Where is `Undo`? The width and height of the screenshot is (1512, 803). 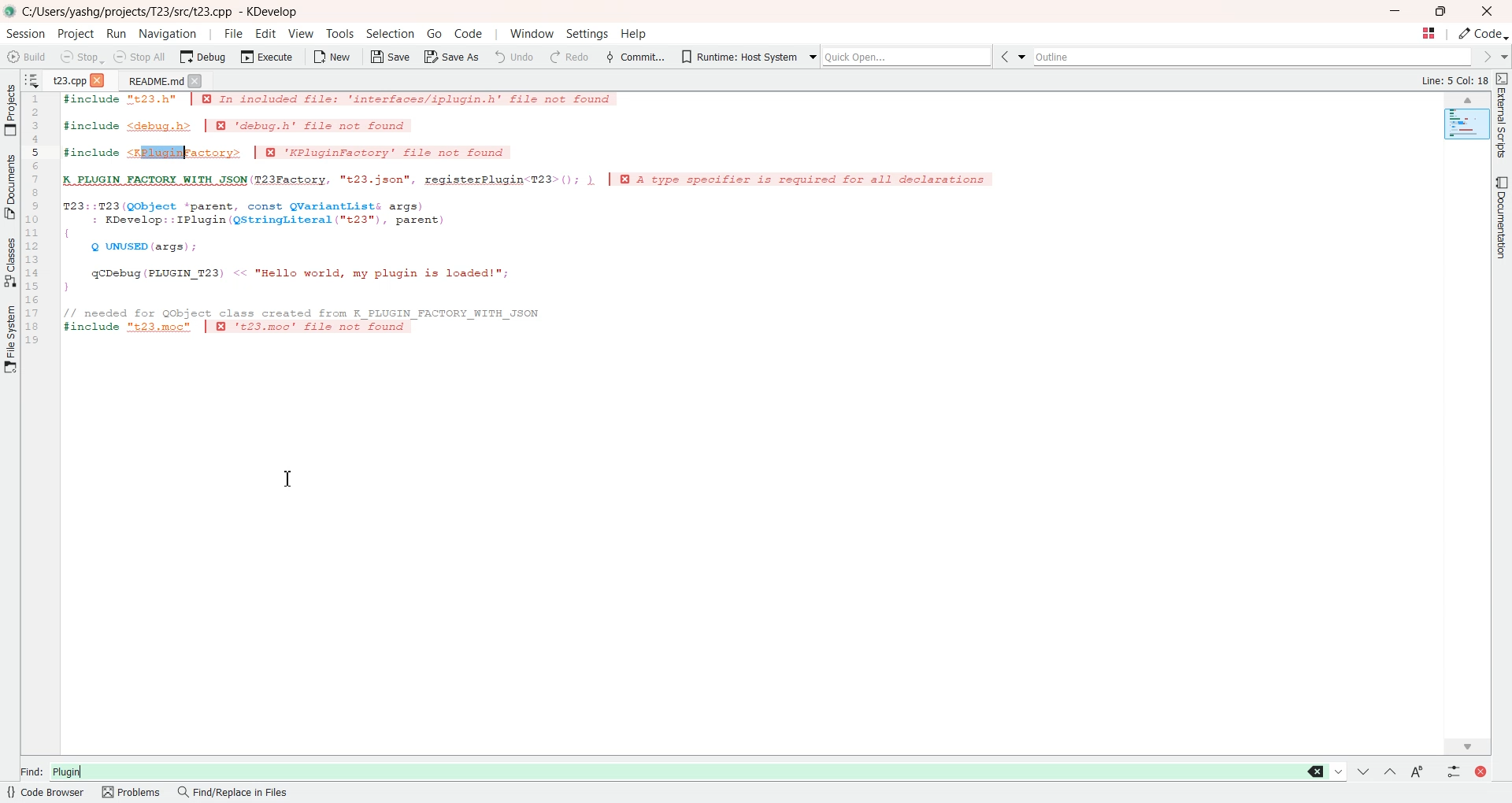 Undo is located at coordinates (514, 56).